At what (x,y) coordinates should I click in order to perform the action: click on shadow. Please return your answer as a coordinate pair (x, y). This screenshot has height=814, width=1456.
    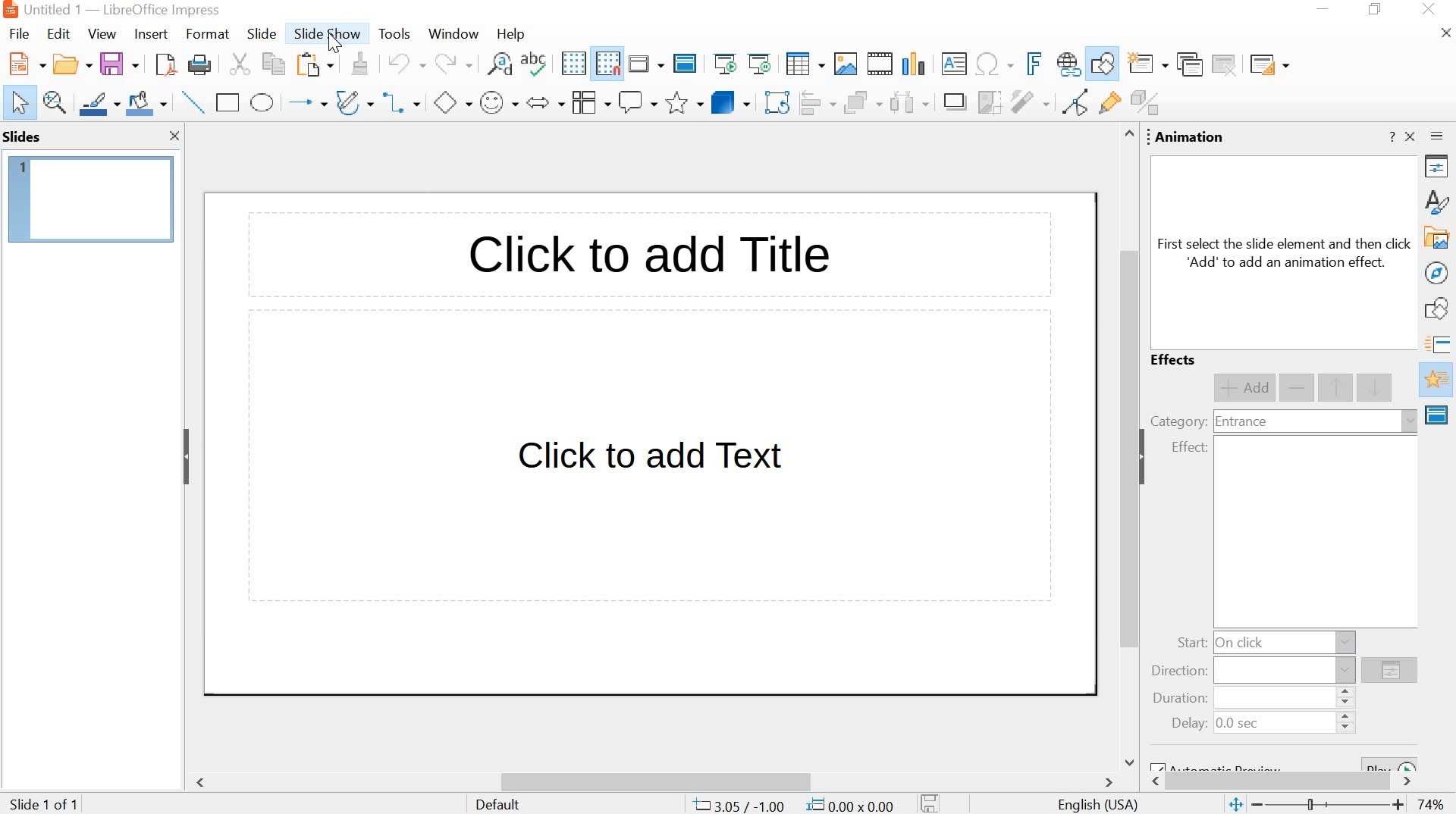
    Looking at the image, I should click on (954, 103).